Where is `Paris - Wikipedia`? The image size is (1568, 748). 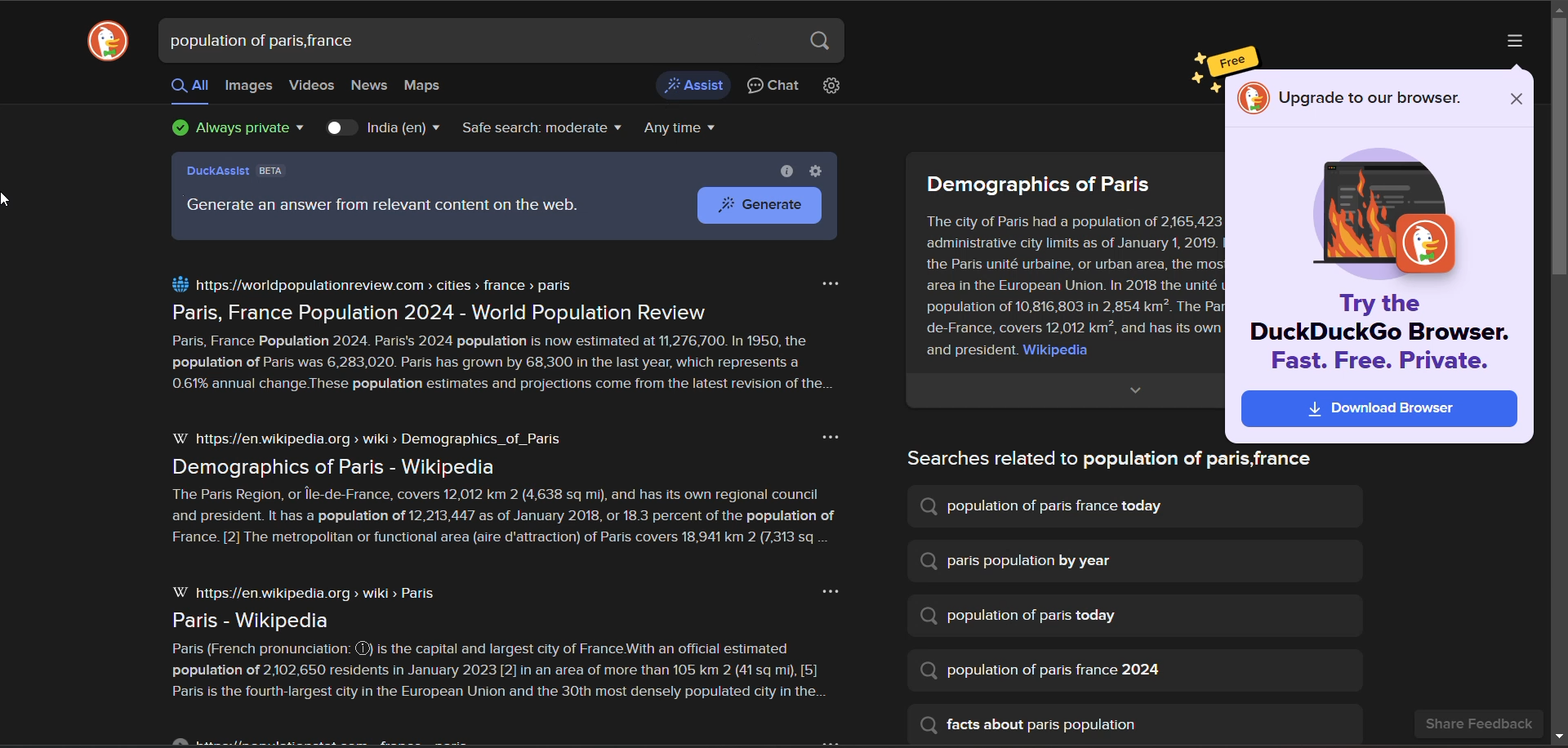 Paris - Wikipedia is located at coordinates (243, 621).